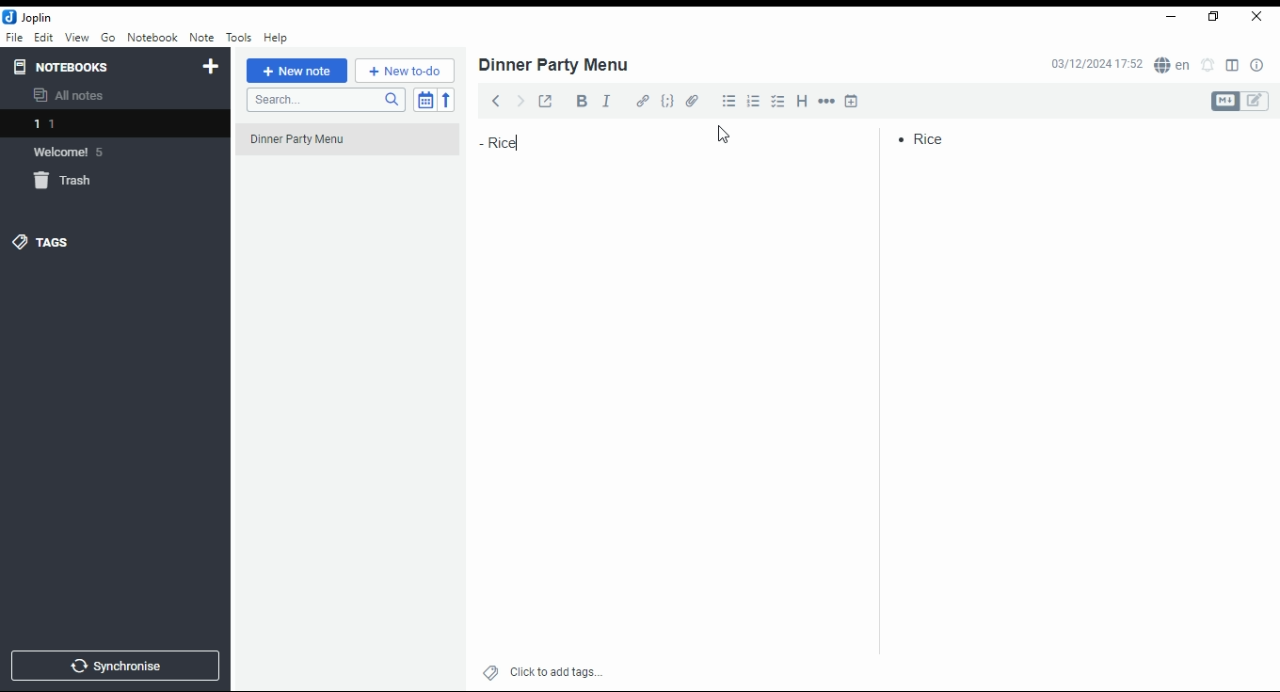 This screenshot has width=1280, height=692. What do you see at coordinates (607, 100) in the screenshot?
I see `italics` at bounding box center [607, 100].